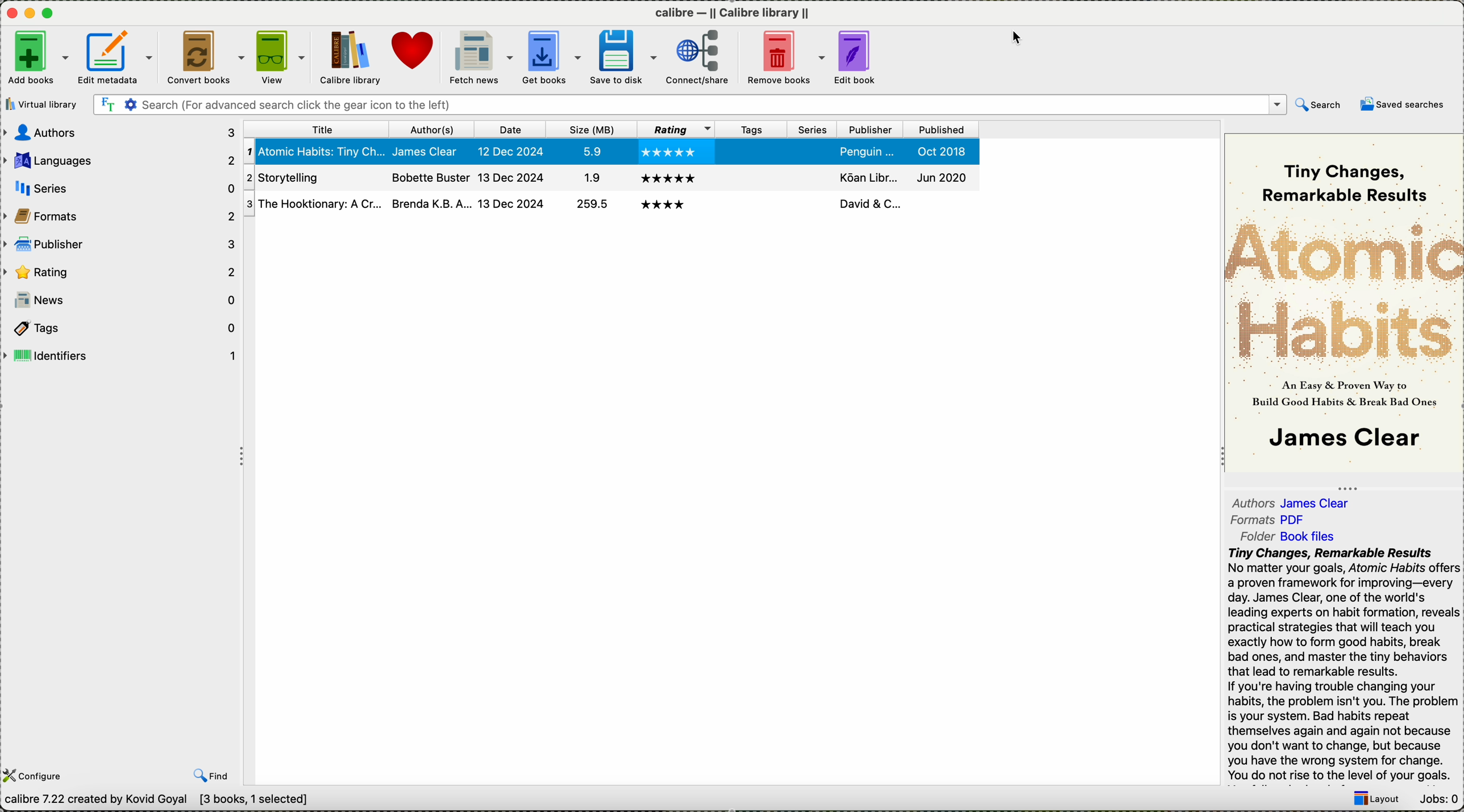 This screenshot has height=812, width=1464. I want to click on Layout, so click(1371, 801).